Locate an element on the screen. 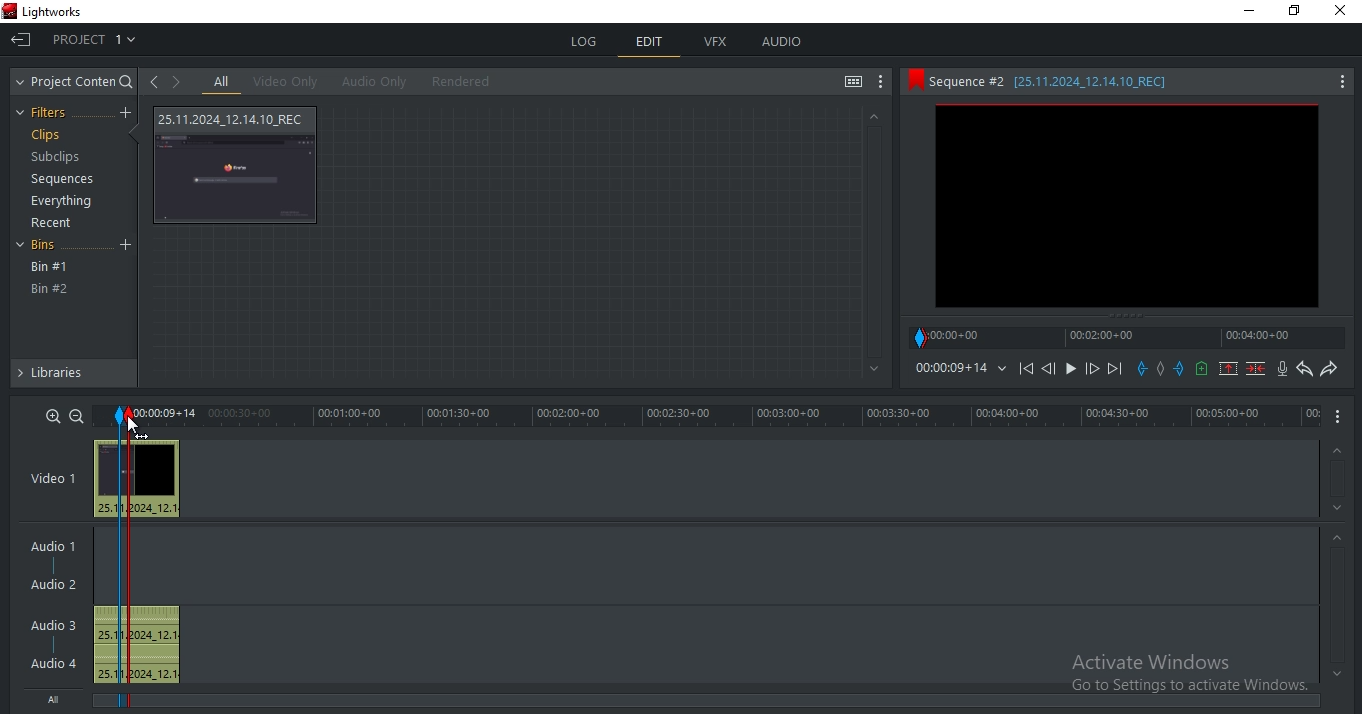 Image resolution: width=1362 pixels, height=714 pixels. vfx is located at coordinates (717, 42).